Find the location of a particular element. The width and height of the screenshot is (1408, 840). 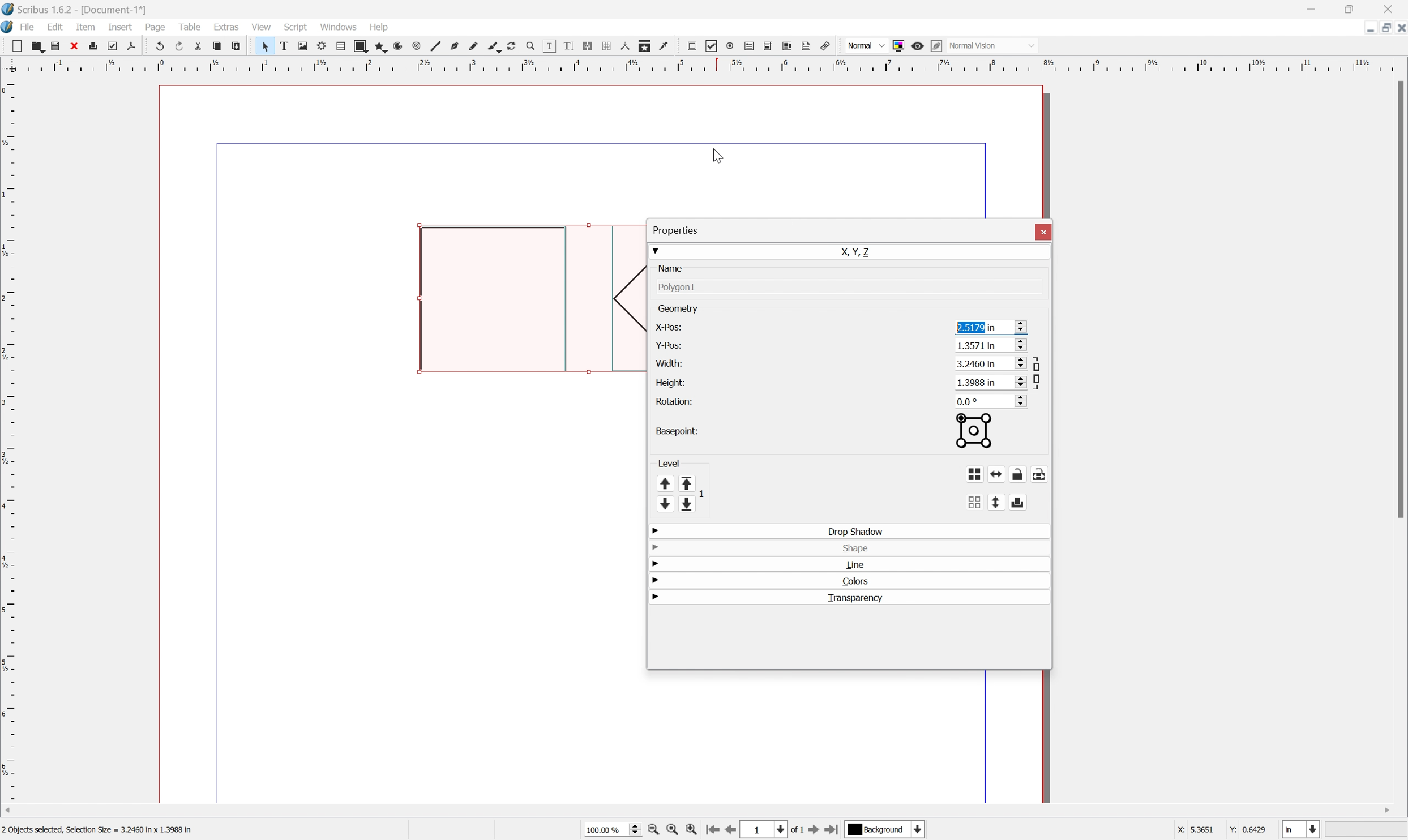

x-pos is located at coordinates (667, 327).